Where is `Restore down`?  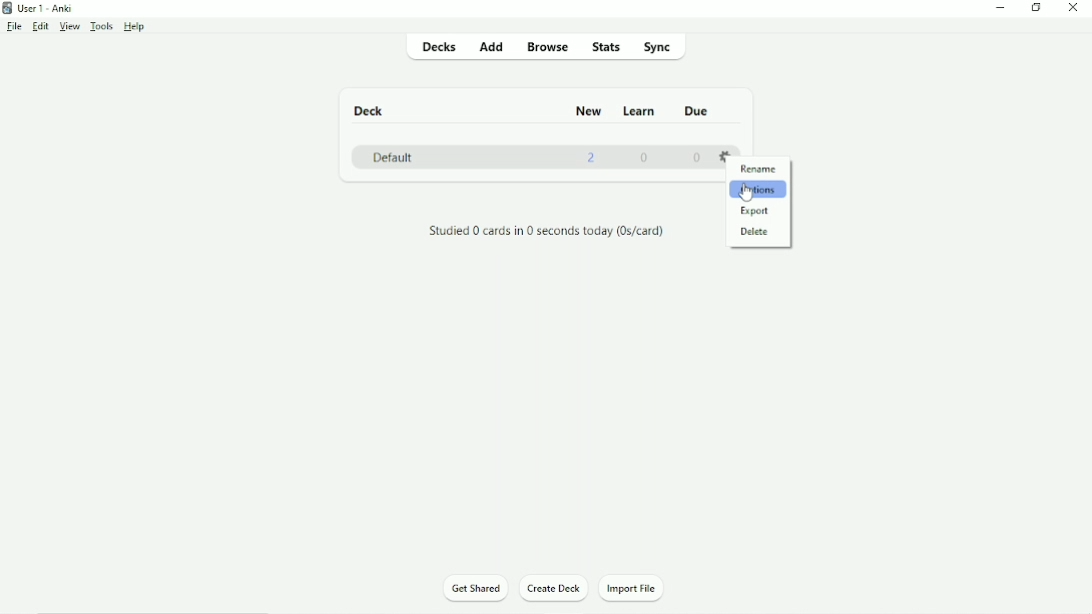 Restore down is located at coordinates (1035, 7).